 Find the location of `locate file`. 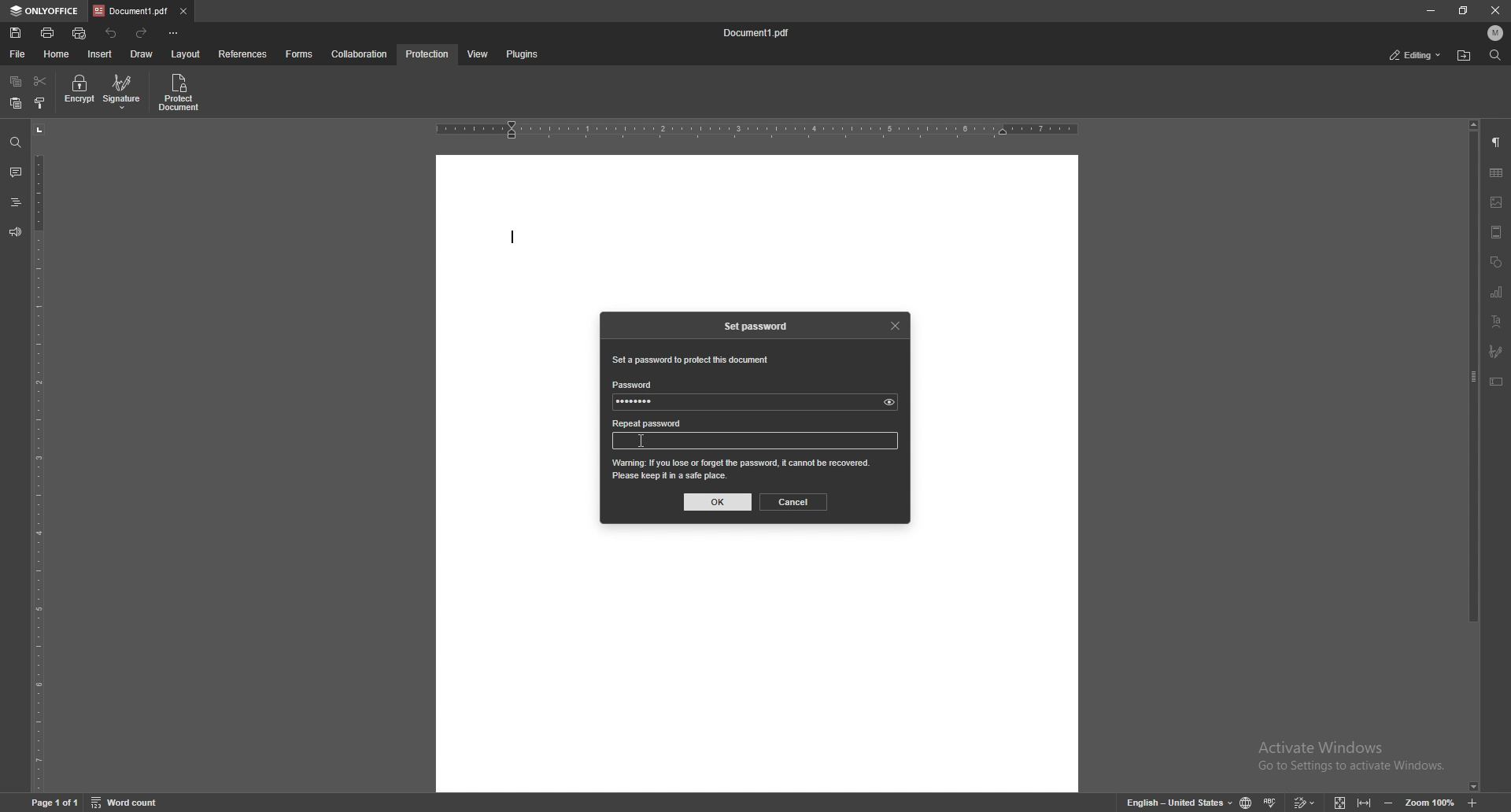

locate file is located at coordinates (1465, 55).